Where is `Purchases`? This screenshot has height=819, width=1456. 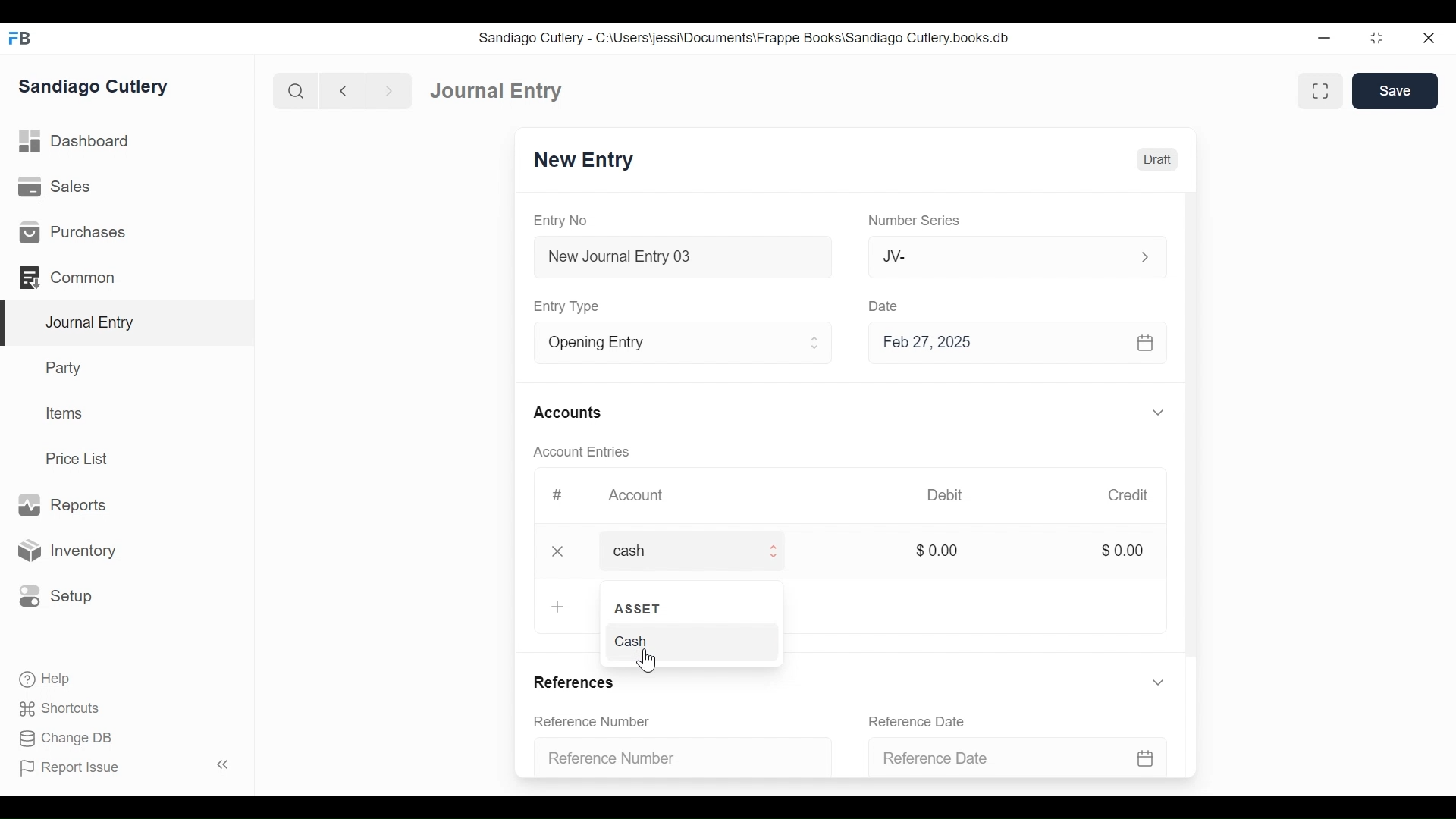 Purchases is located at coordinates (75, 232).